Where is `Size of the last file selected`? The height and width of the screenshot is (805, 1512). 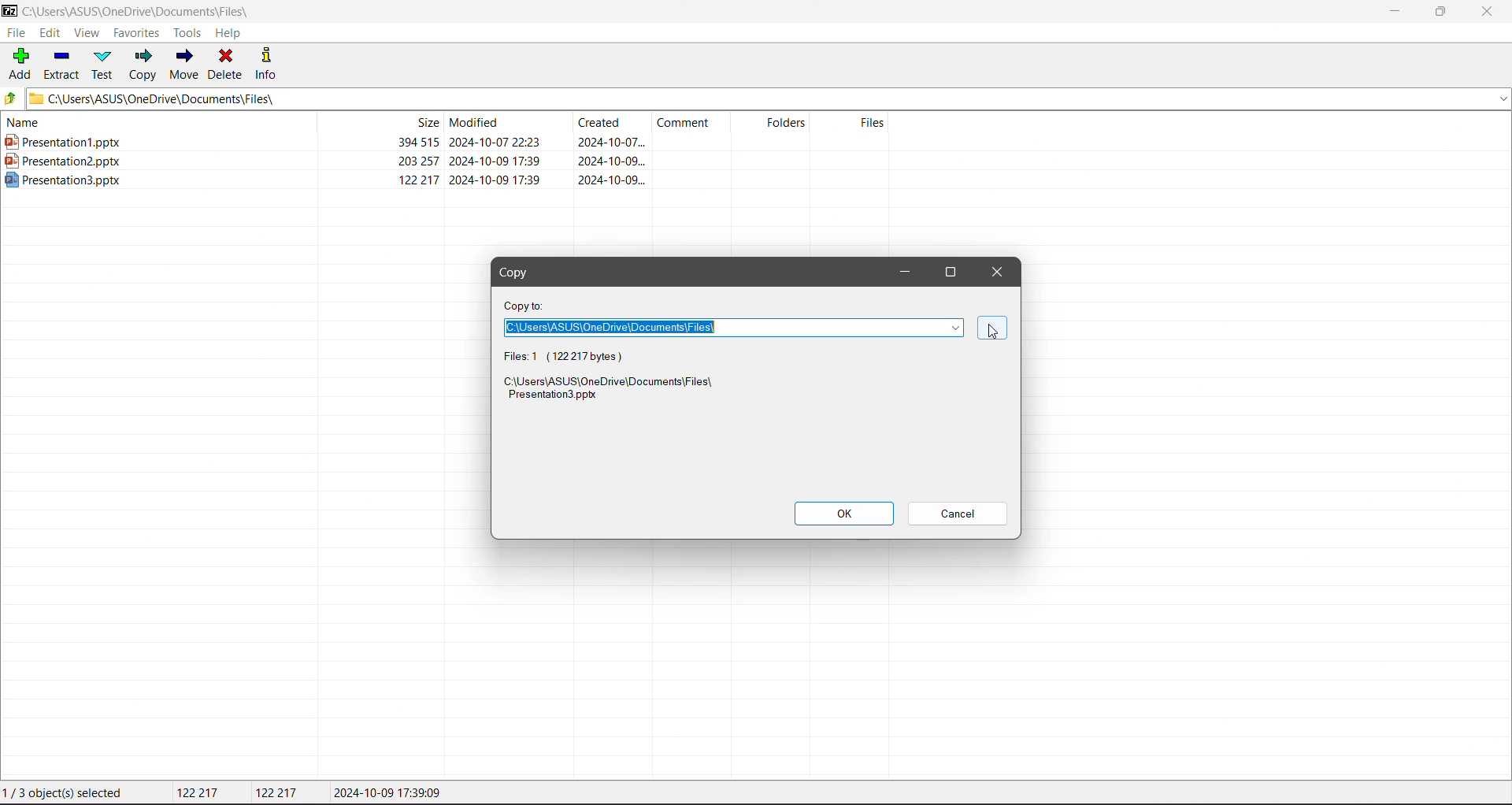
Size of the last file selected is located at coordinates (279, 792).